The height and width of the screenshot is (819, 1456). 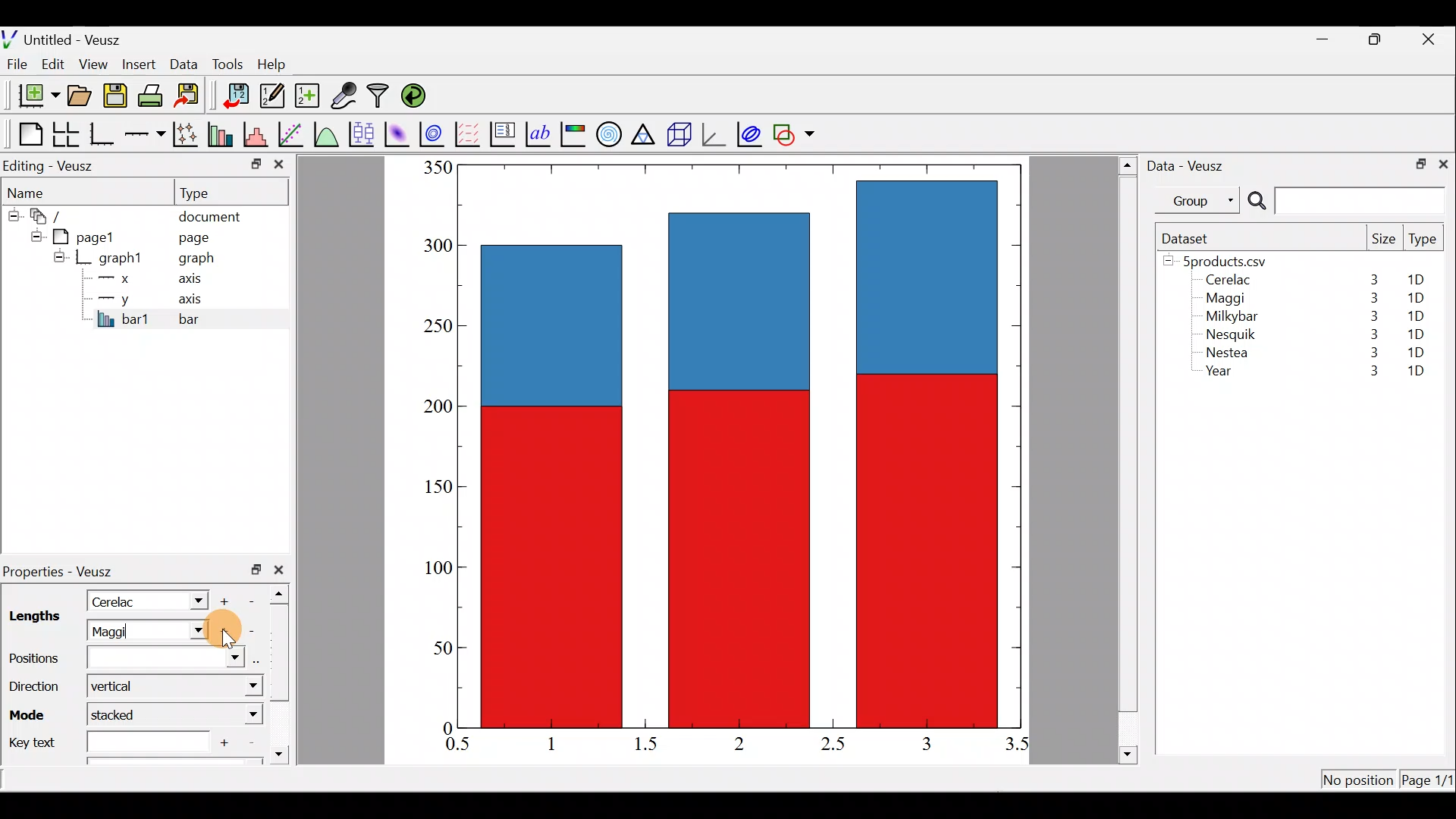 I want to click on Fit a function to data, so click(x=292, y=133).